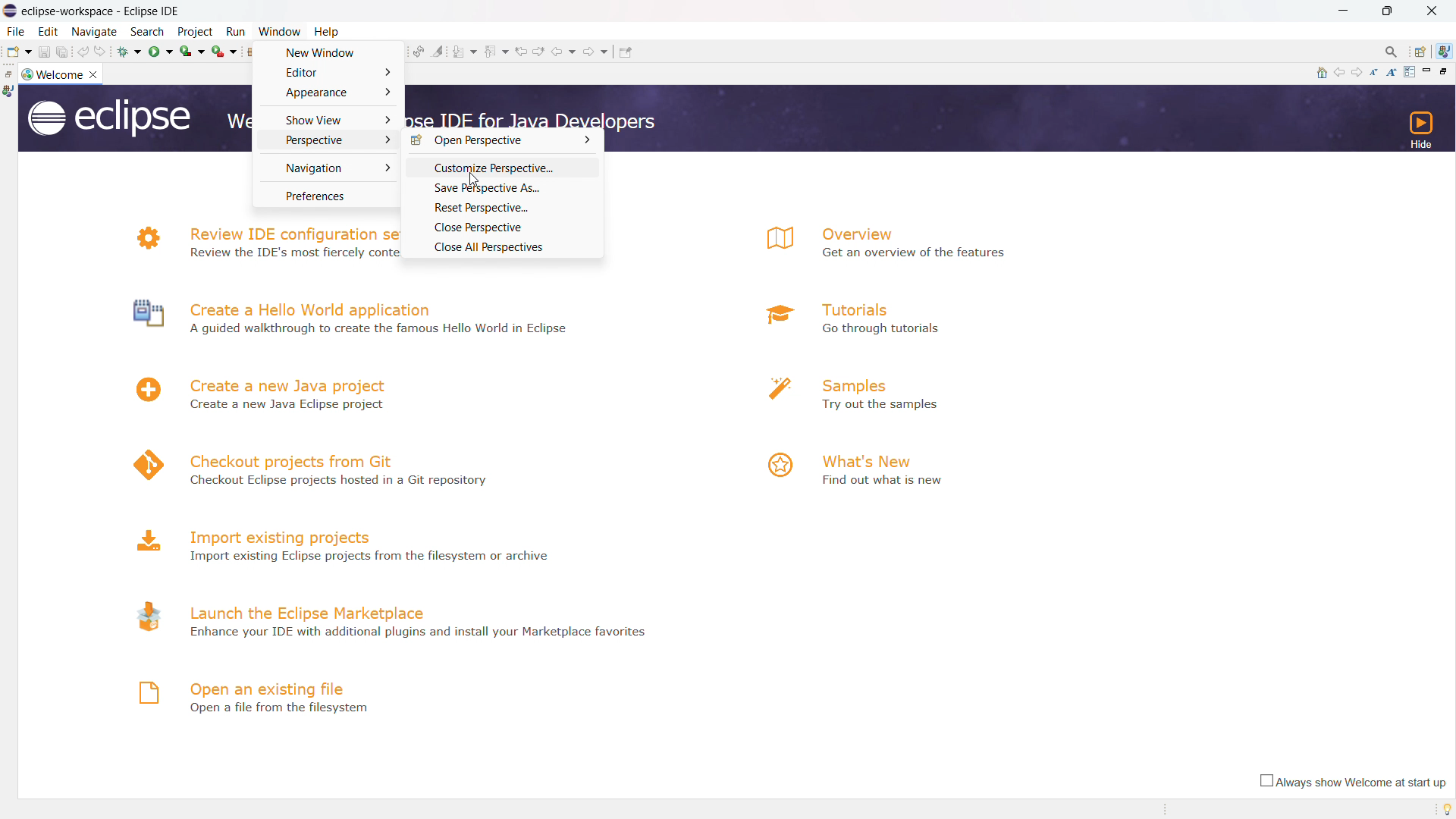  I want to click on toggle ant editpr audio reconcile, so click(419, 52).